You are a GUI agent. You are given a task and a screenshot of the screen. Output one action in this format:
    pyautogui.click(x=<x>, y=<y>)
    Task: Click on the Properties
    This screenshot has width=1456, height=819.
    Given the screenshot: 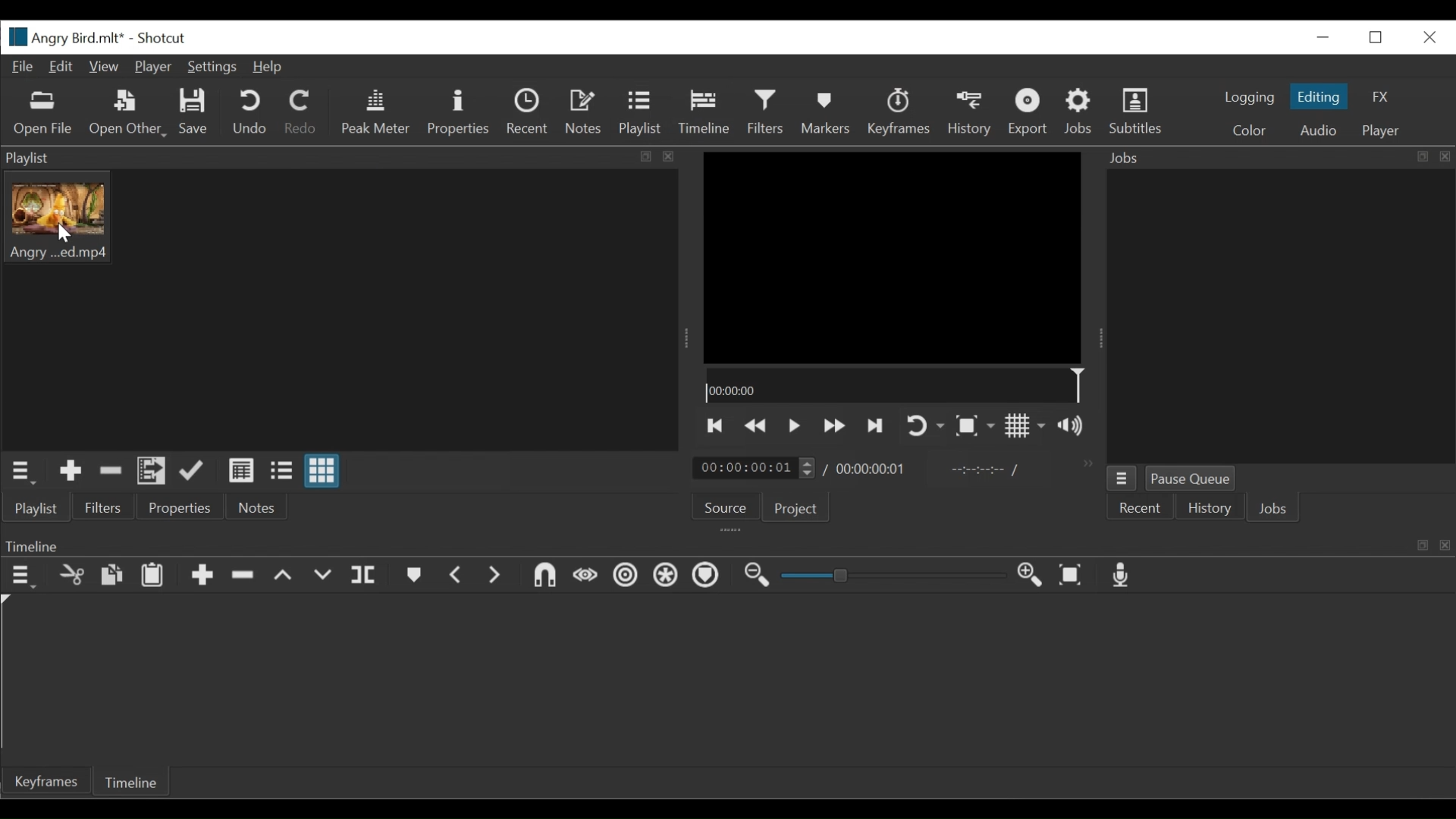 What is the action you would take?
    pyautogui.click(x=180, y=509)
    